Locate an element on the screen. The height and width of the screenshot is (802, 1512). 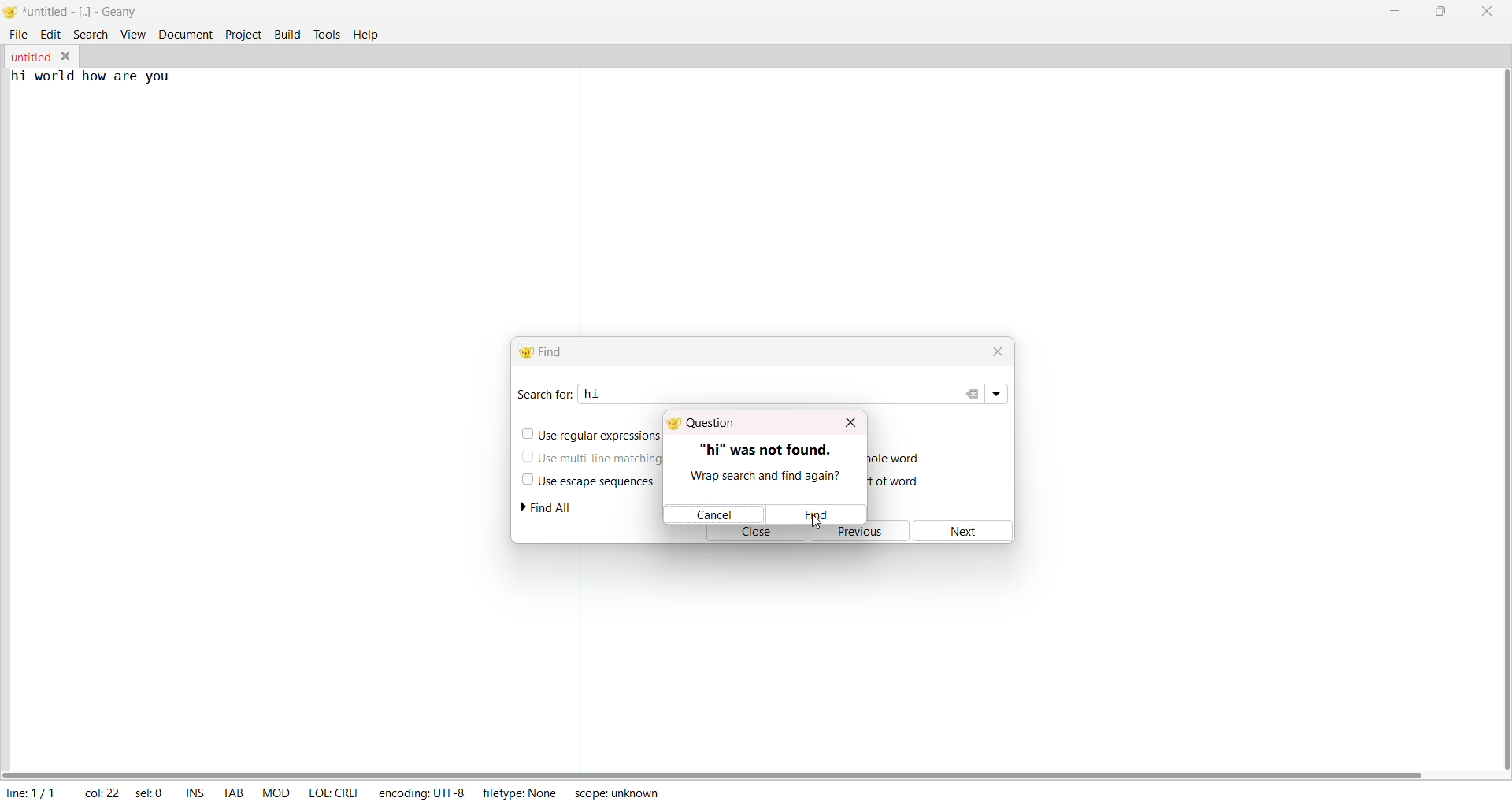
eol: crlf is located at coordinates (333, 790).